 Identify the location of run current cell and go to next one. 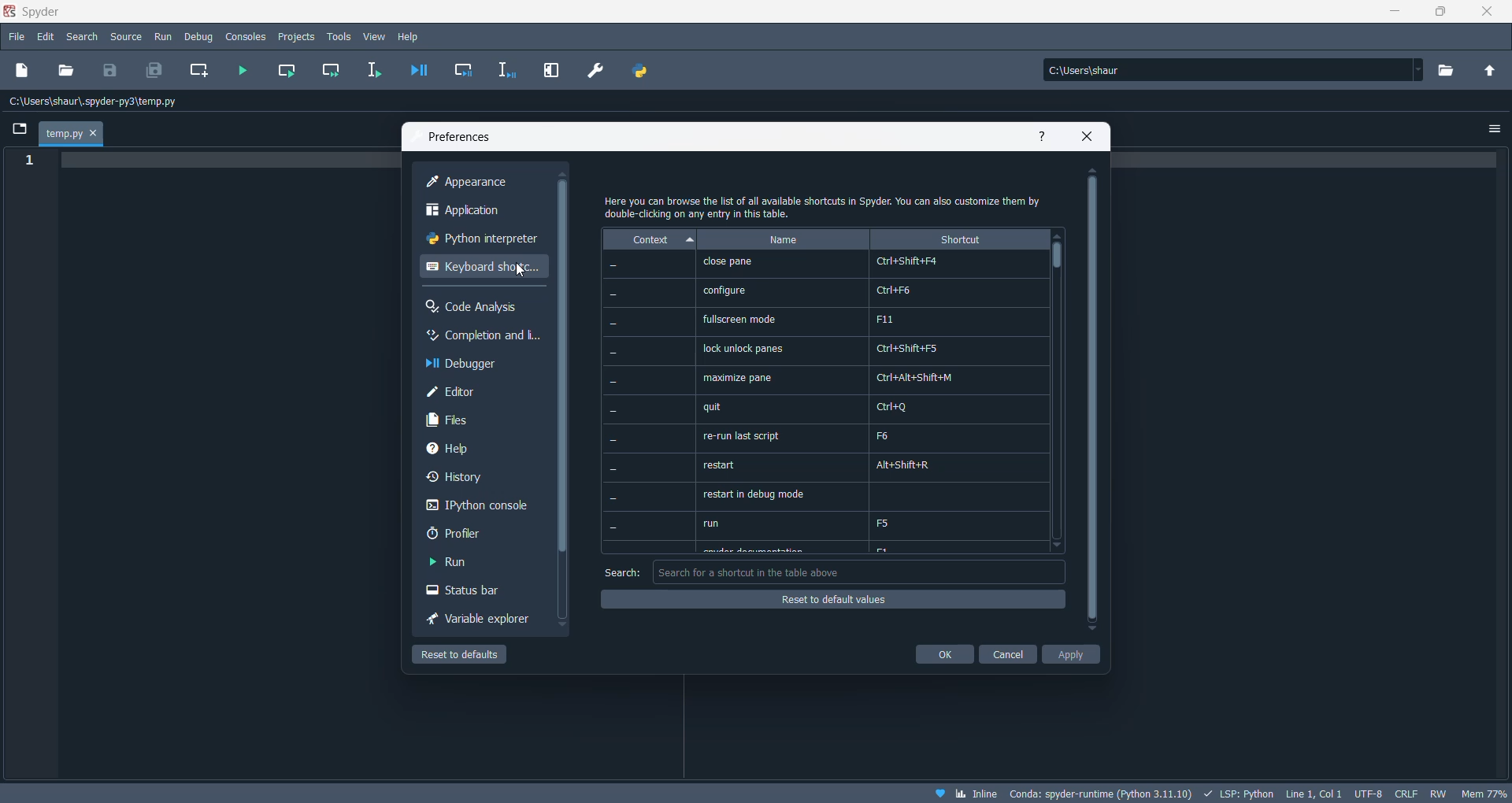
(333, 71).